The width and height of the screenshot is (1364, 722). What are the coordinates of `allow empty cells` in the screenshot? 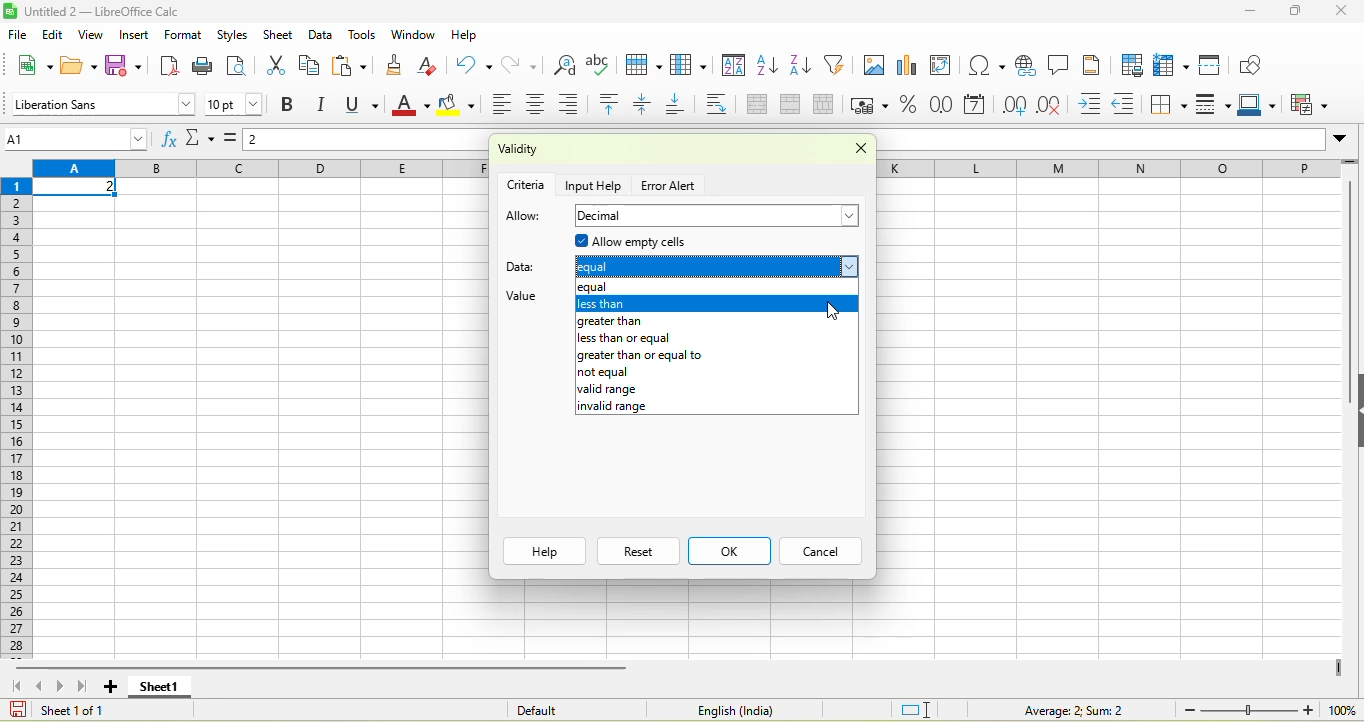 It's located at (690, 242).